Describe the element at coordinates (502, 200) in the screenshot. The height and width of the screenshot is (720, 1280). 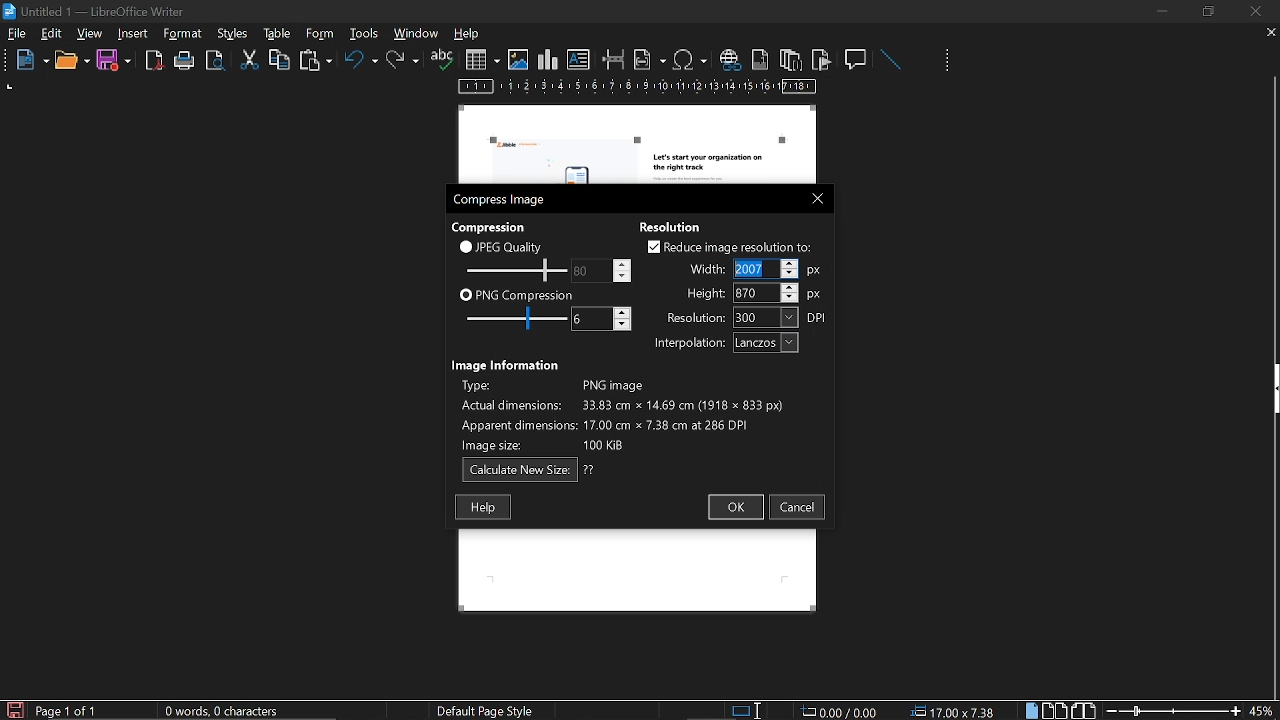
I see `compress image` at that location.